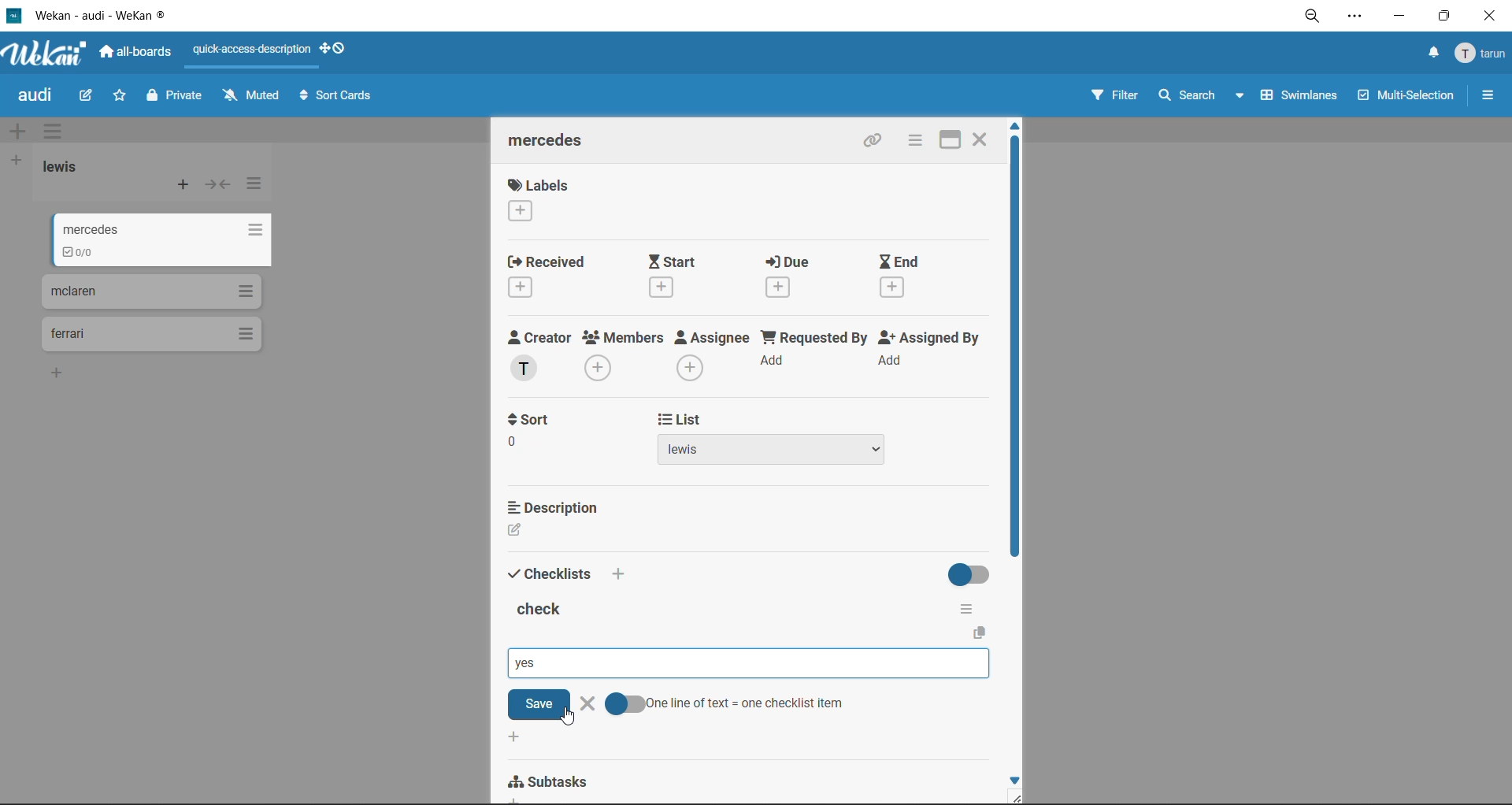 The image size is (1512, 805). I want to click on checklist title, so click(543, 611).